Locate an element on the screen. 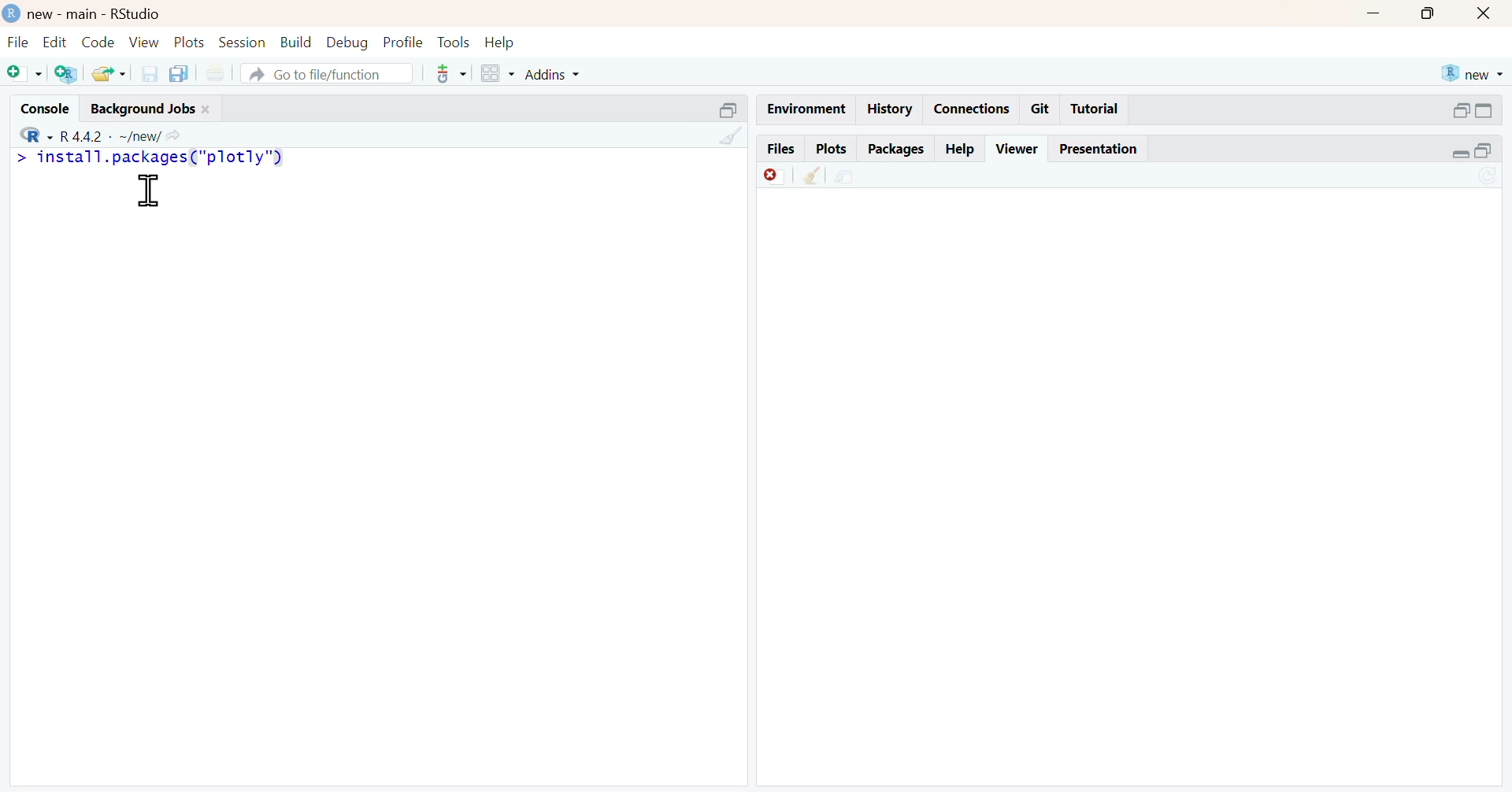 Image resolution: width=1512 pixels, height=792 pixels. minimize is located at coordinates (1374, 11).